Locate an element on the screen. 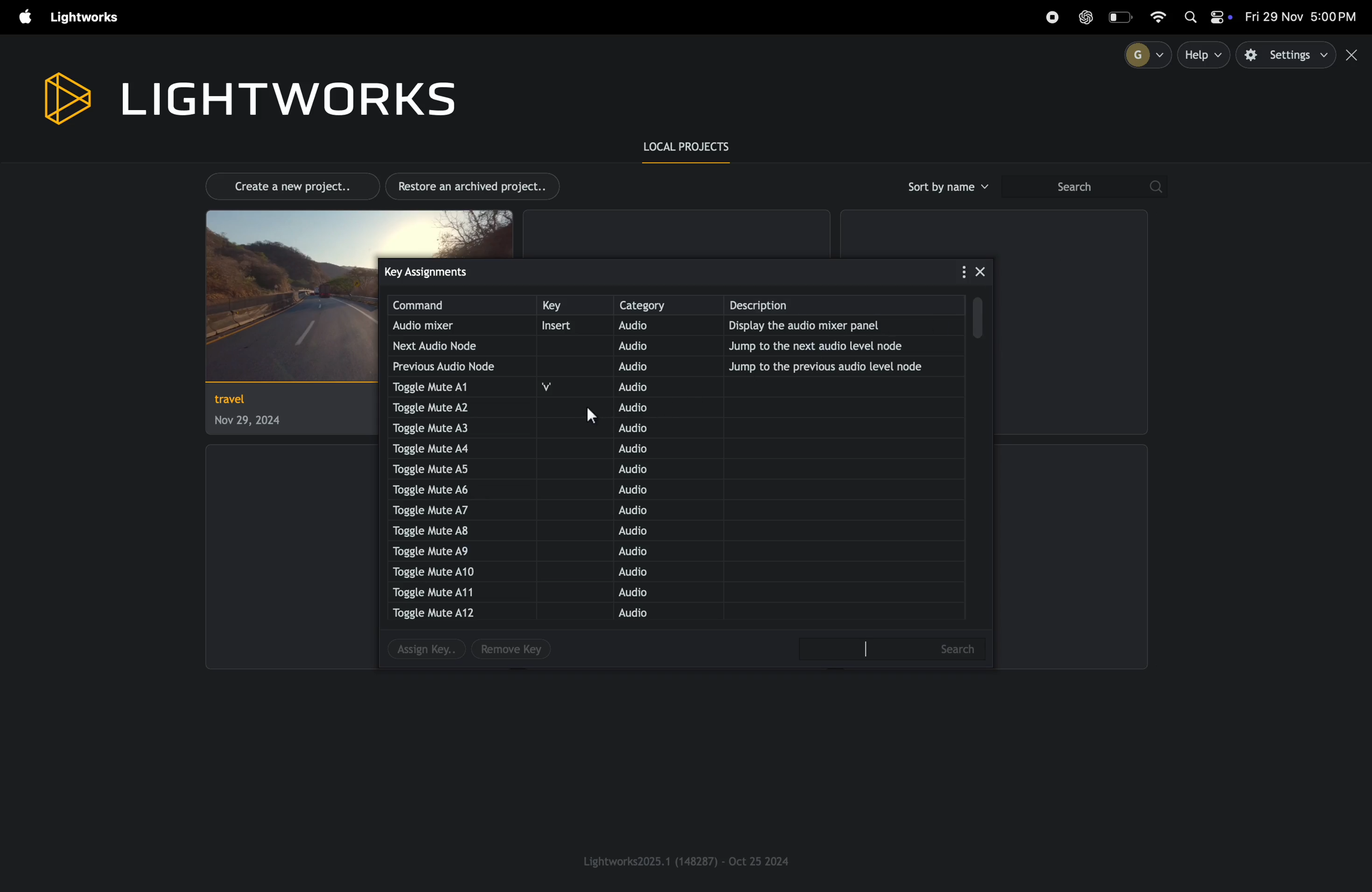 This screenshot has width=1372, height=892. toggle mute 1 is located at coordinates (443, 388).